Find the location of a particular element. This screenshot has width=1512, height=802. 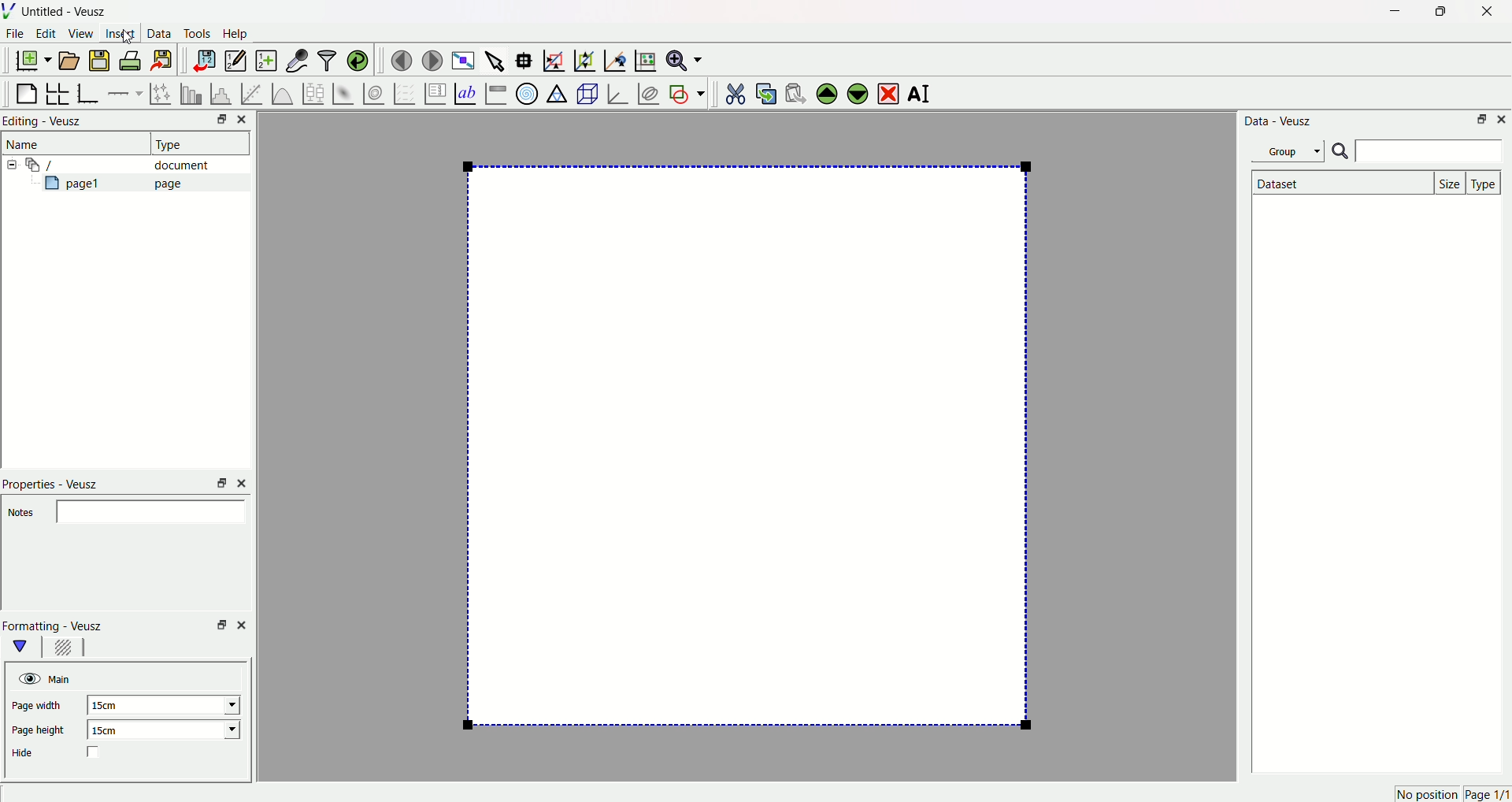

Close is located at coordinates (246, 119).